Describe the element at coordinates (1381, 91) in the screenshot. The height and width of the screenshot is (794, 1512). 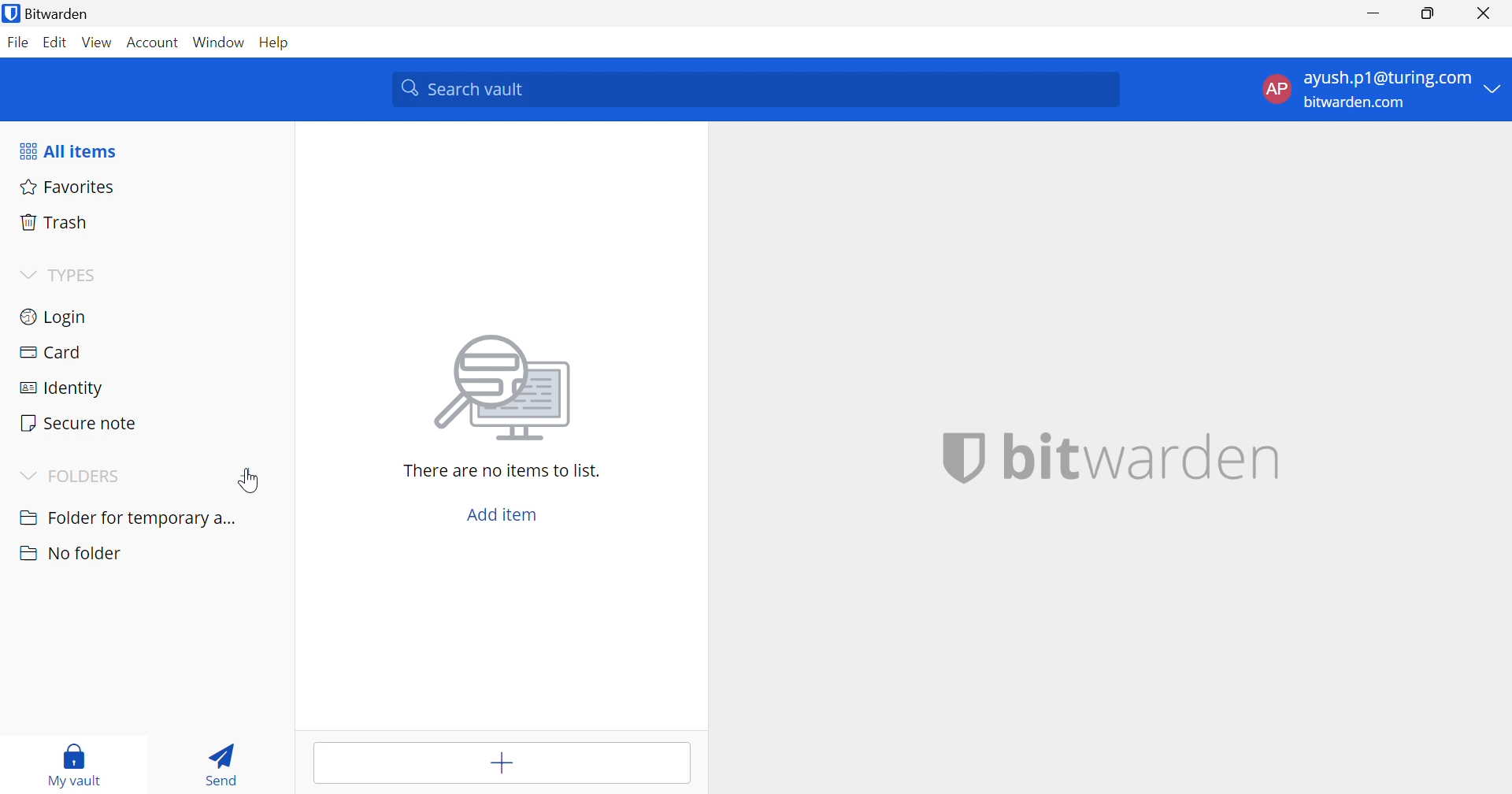
I see `account options` at that location.